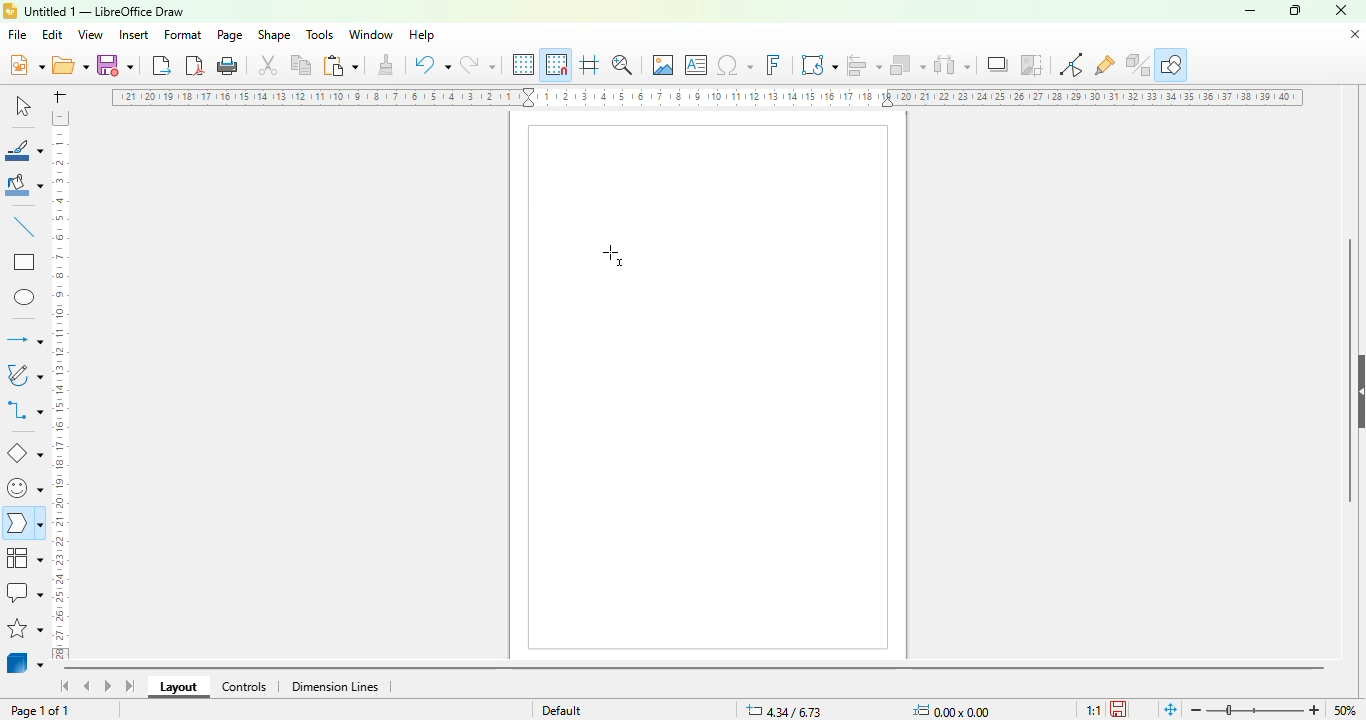 The width and height of the screenshot is (1366, 720). What do you see at coordinates (1355, 35) in the screenshot?
I see `close document` at bounding box center [1355, 35].